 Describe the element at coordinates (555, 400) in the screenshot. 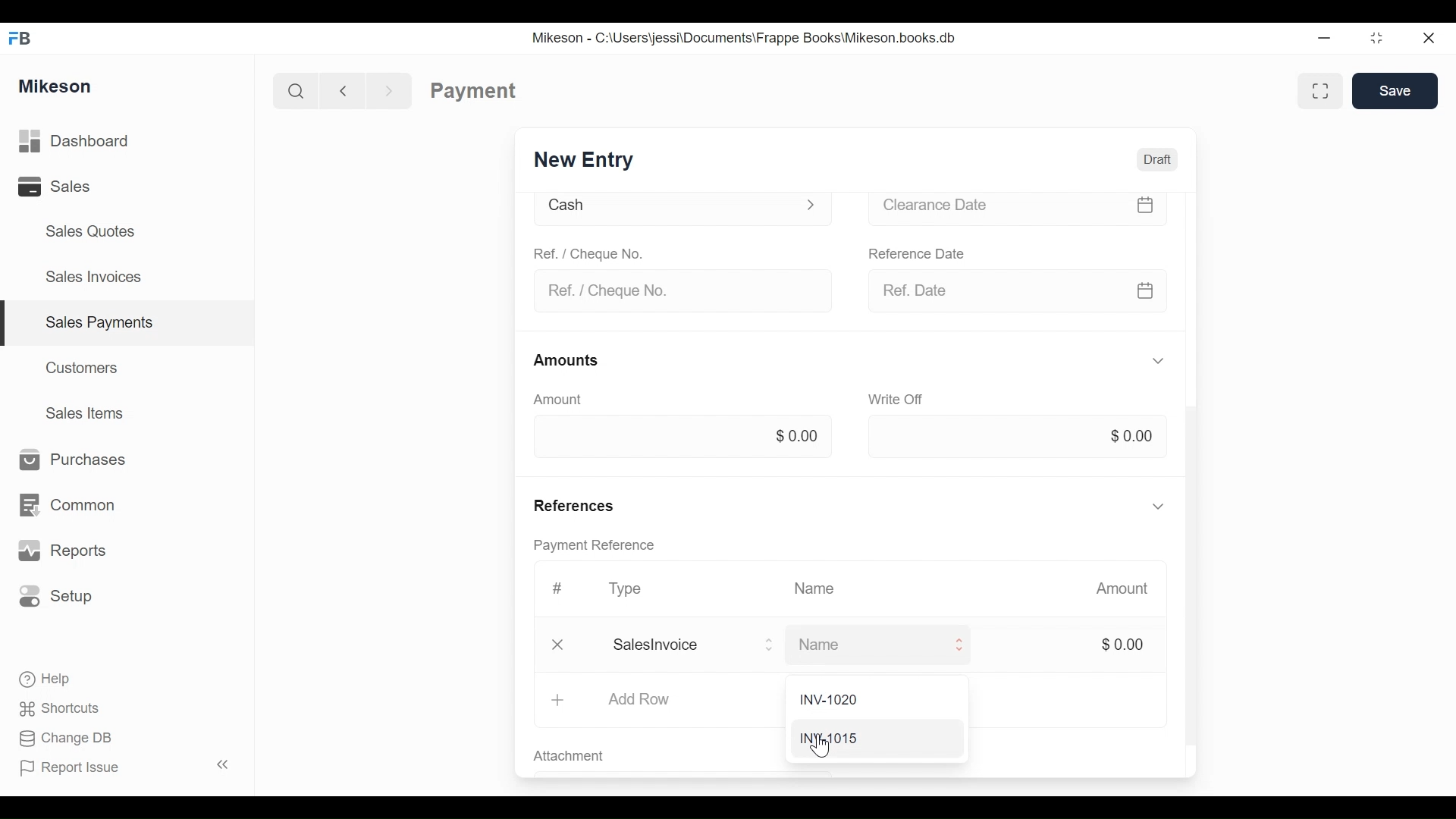

I see `Amount` at that location.